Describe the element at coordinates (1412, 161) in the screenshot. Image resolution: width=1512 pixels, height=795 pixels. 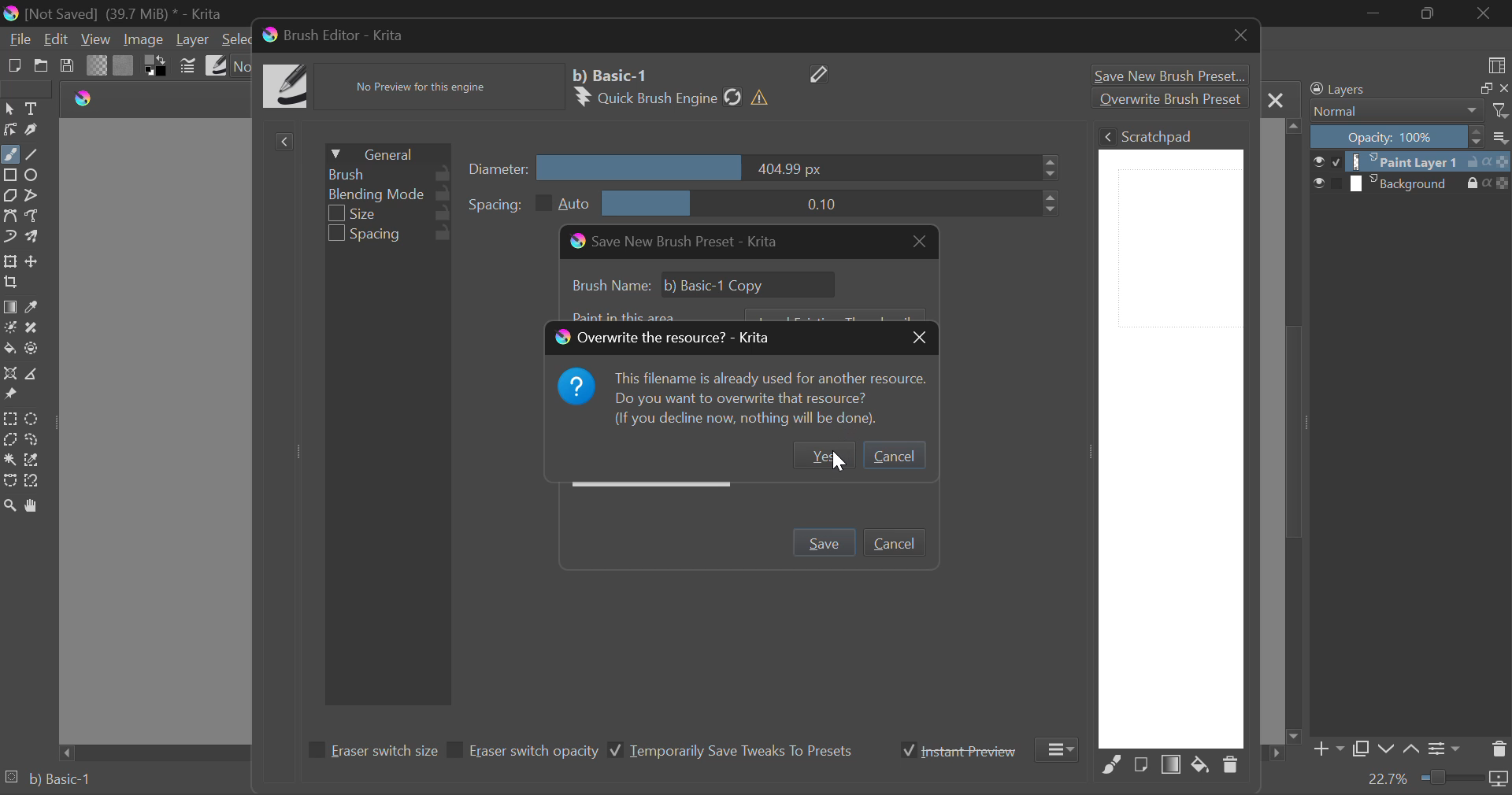
I see `Paint Layer` at that location.